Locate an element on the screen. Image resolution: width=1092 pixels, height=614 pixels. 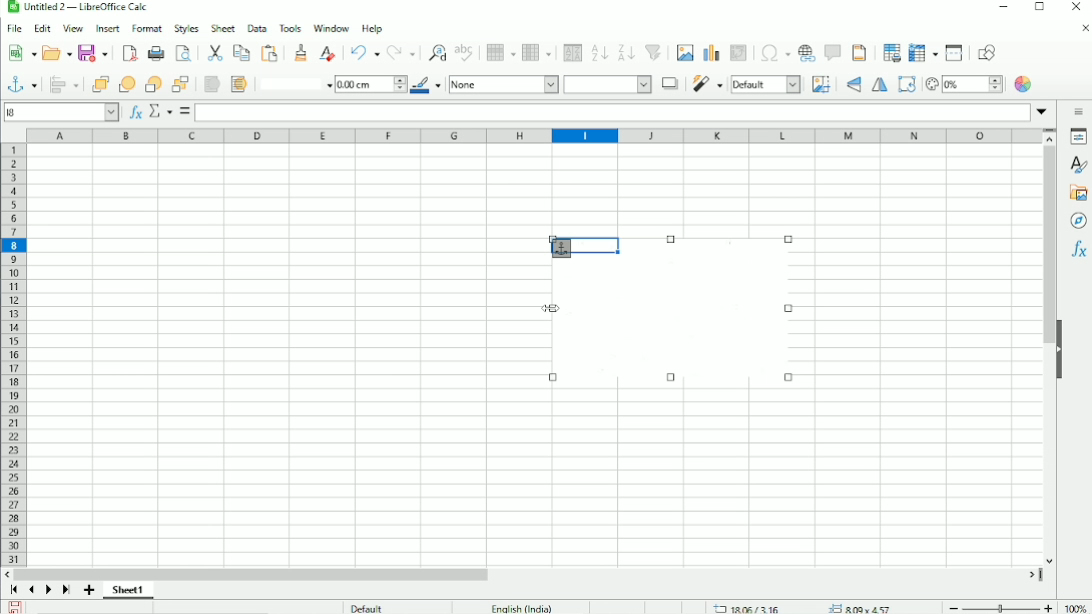
Formula is located at coordinates (185, 112).